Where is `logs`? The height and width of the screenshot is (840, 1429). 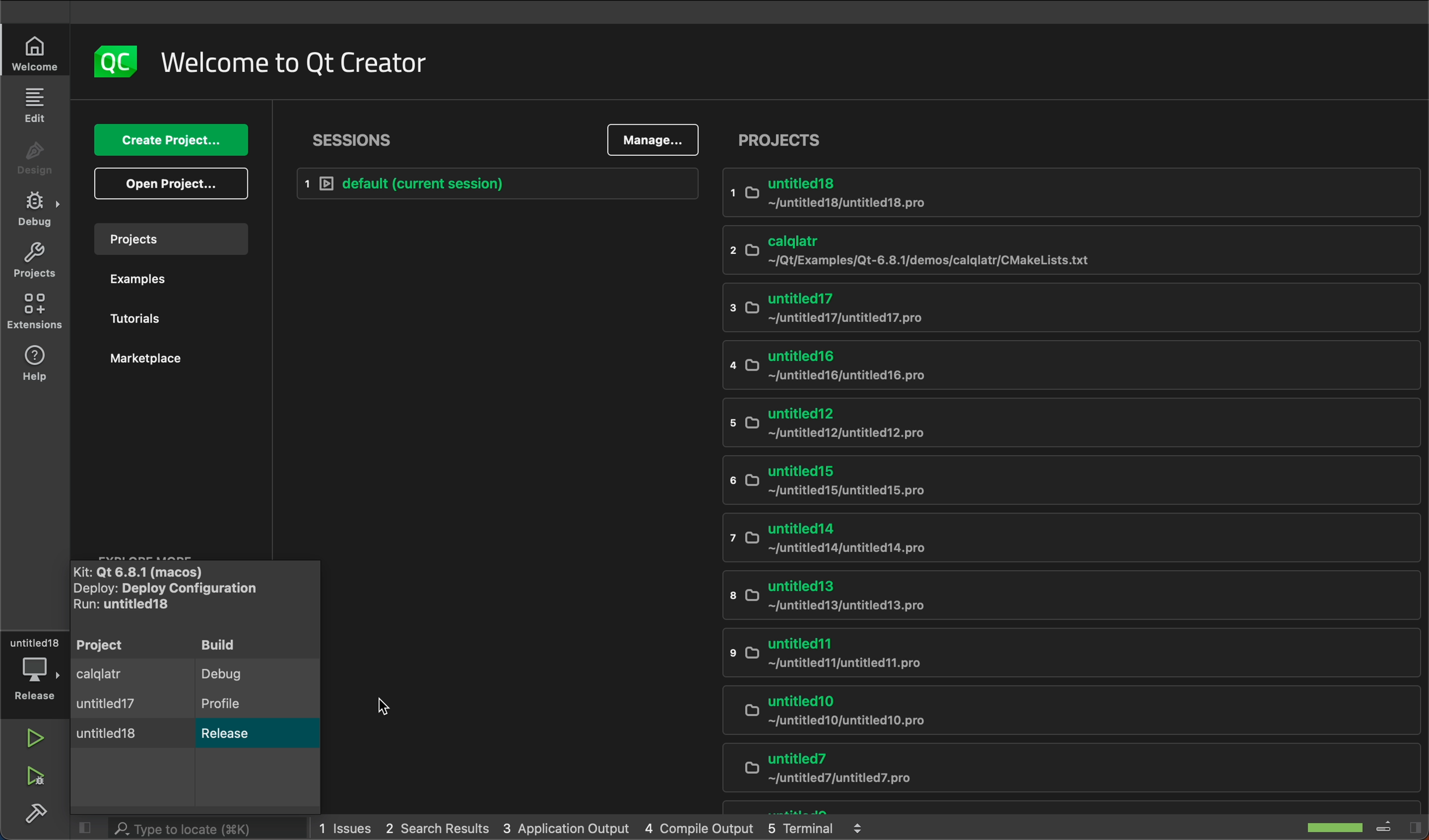 logs is located at coordinates (597, 826).